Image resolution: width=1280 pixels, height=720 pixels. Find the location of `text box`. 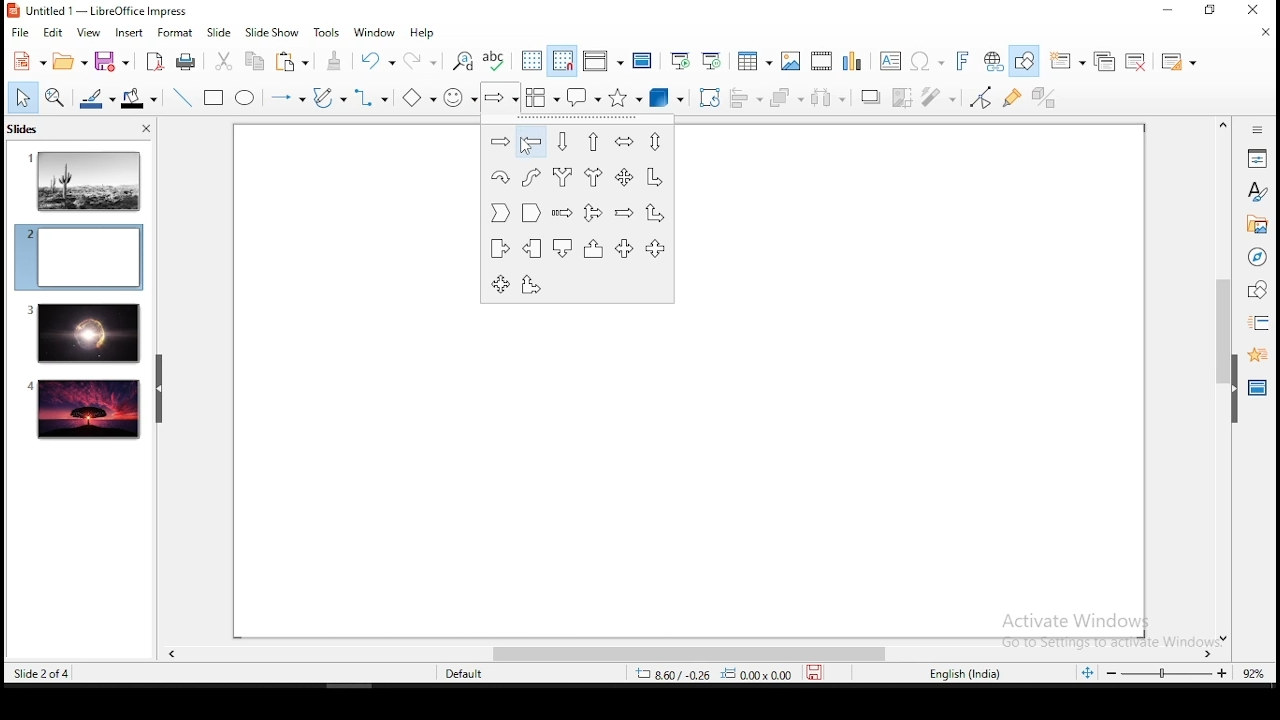

text box is located at coordinates (888, 62).